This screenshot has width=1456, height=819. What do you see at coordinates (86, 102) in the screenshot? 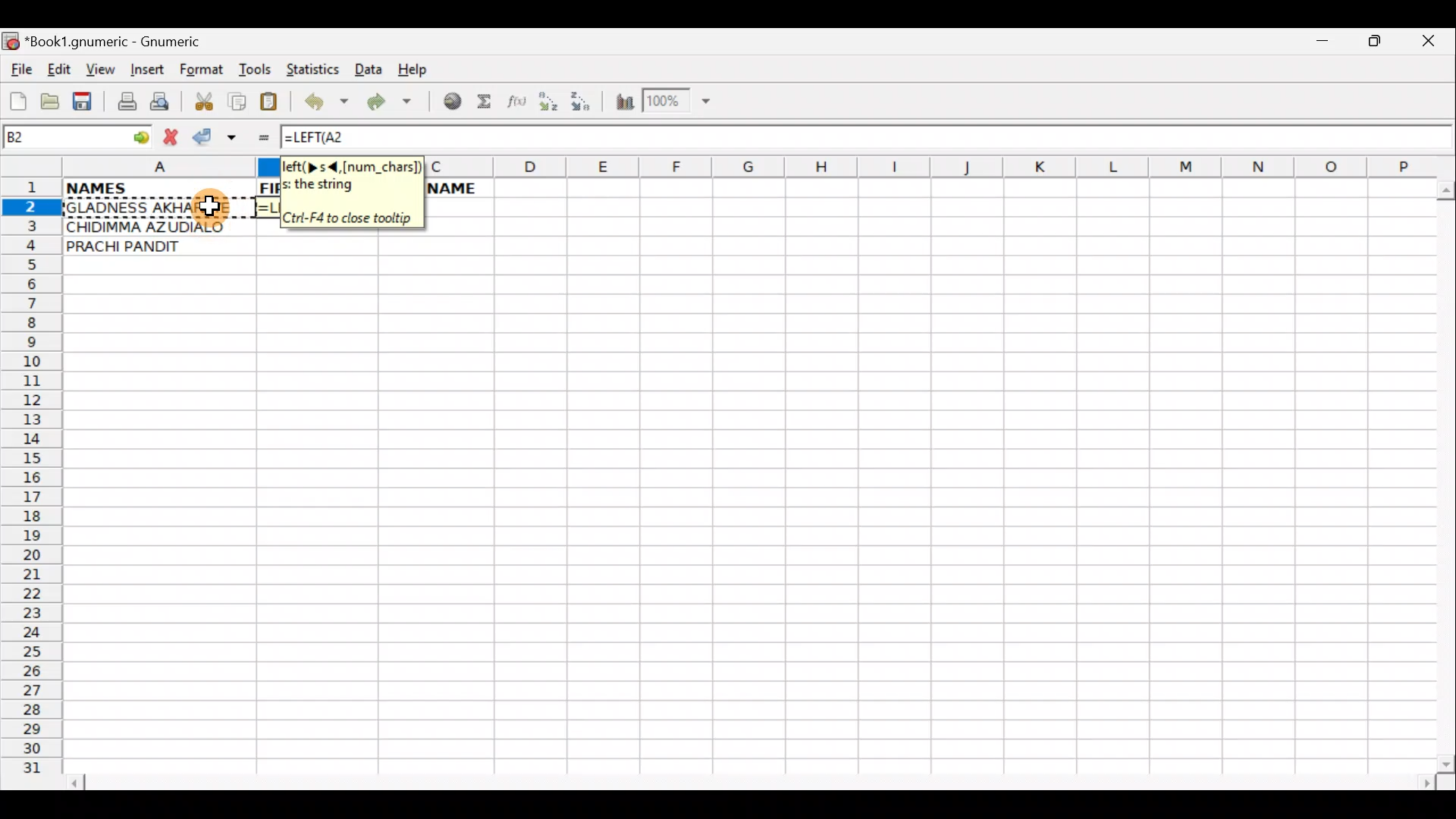
I see `Save current workbook` at bounding box center [86, 102].